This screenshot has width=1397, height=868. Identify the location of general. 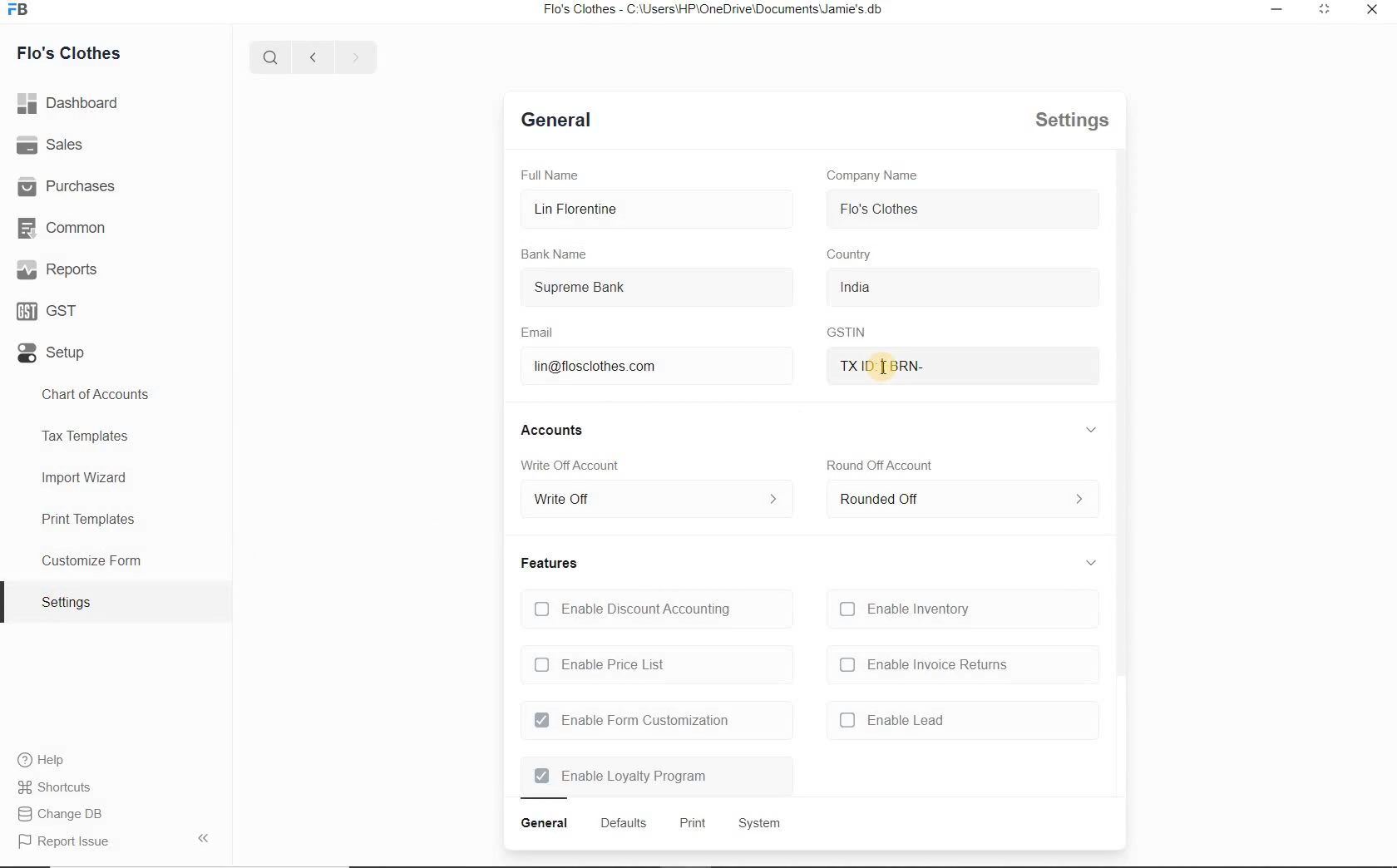
(558, 123).